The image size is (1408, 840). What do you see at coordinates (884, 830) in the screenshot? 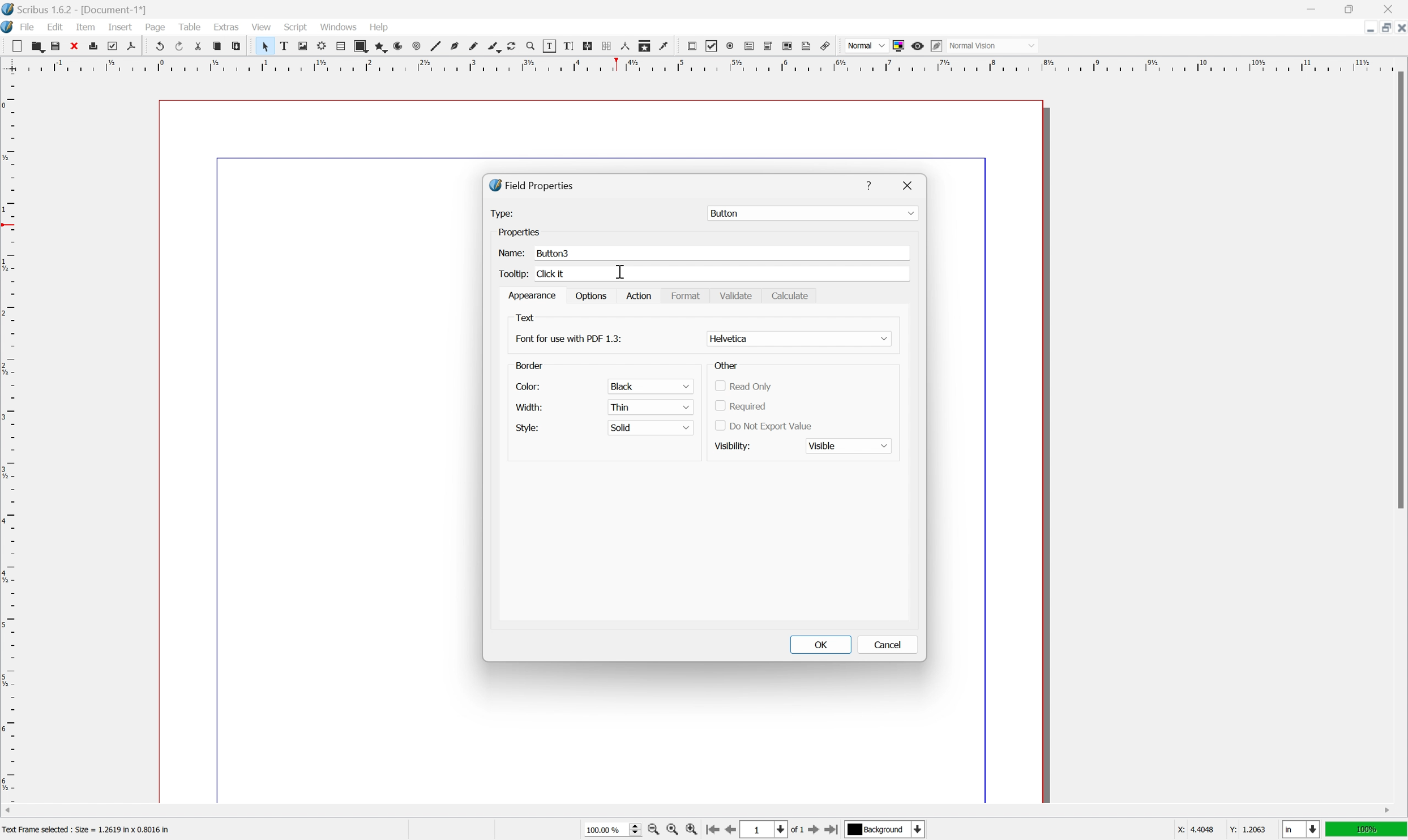
I see `Background` at bounding box center [884, 830].